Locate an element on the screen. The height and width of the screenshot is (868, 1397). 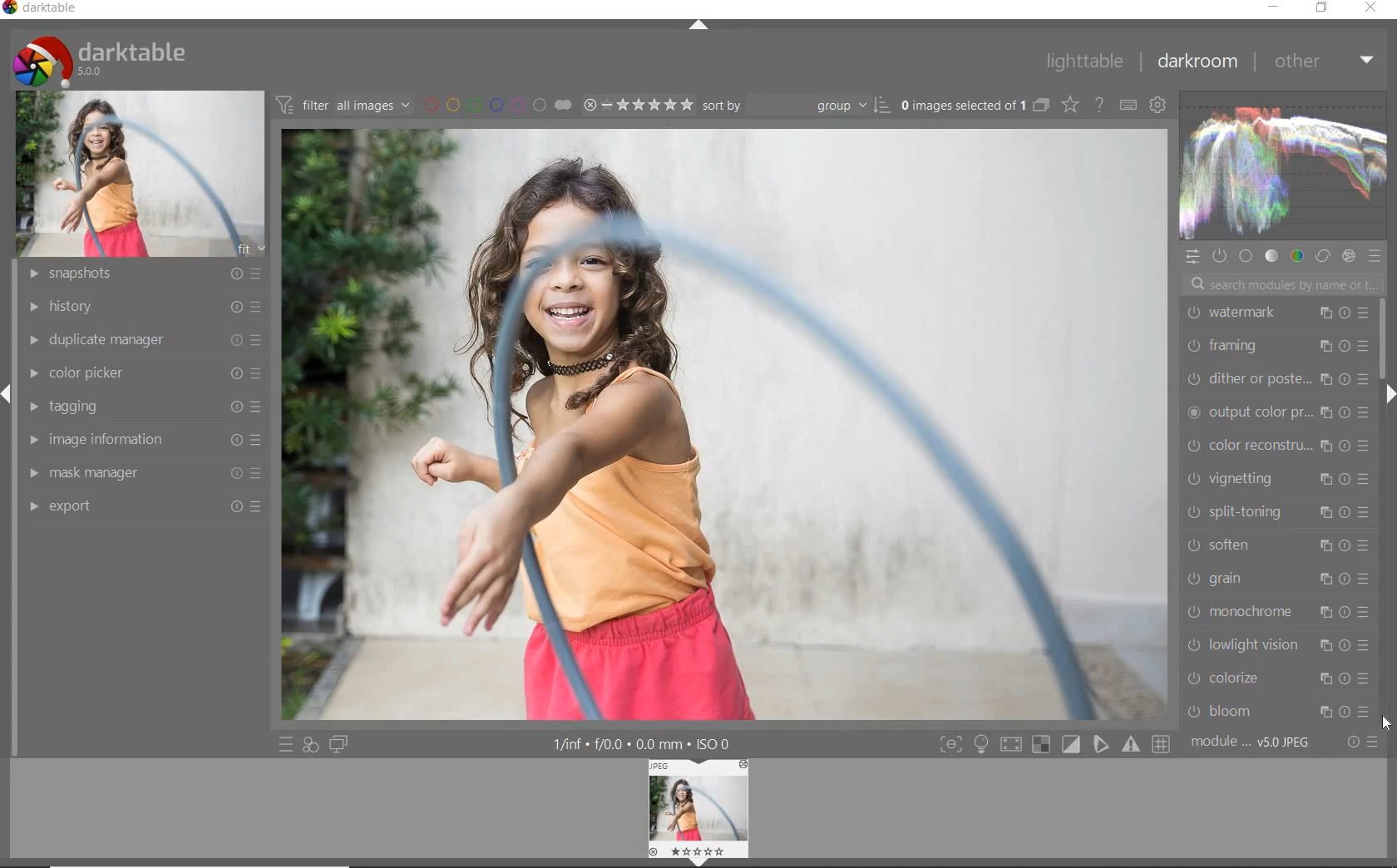
expand / collapse is located at coordinates (697, 28).